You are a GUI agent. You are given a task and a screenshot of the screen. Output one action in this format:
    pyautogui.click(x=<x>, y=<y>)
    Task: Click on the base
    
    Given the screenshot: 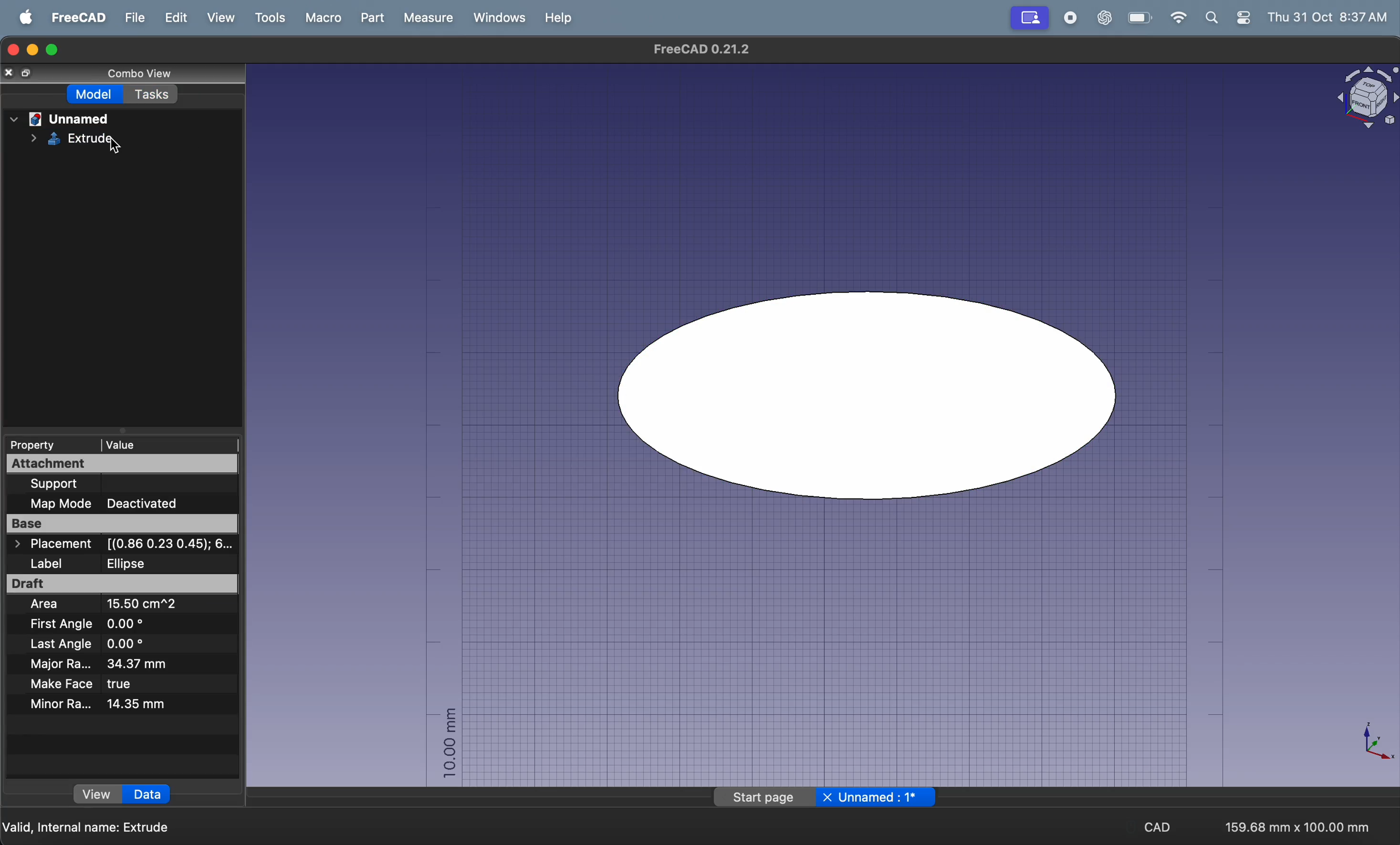 What is the action you would take?
    pyautogui.click(x=124, y=525)
    